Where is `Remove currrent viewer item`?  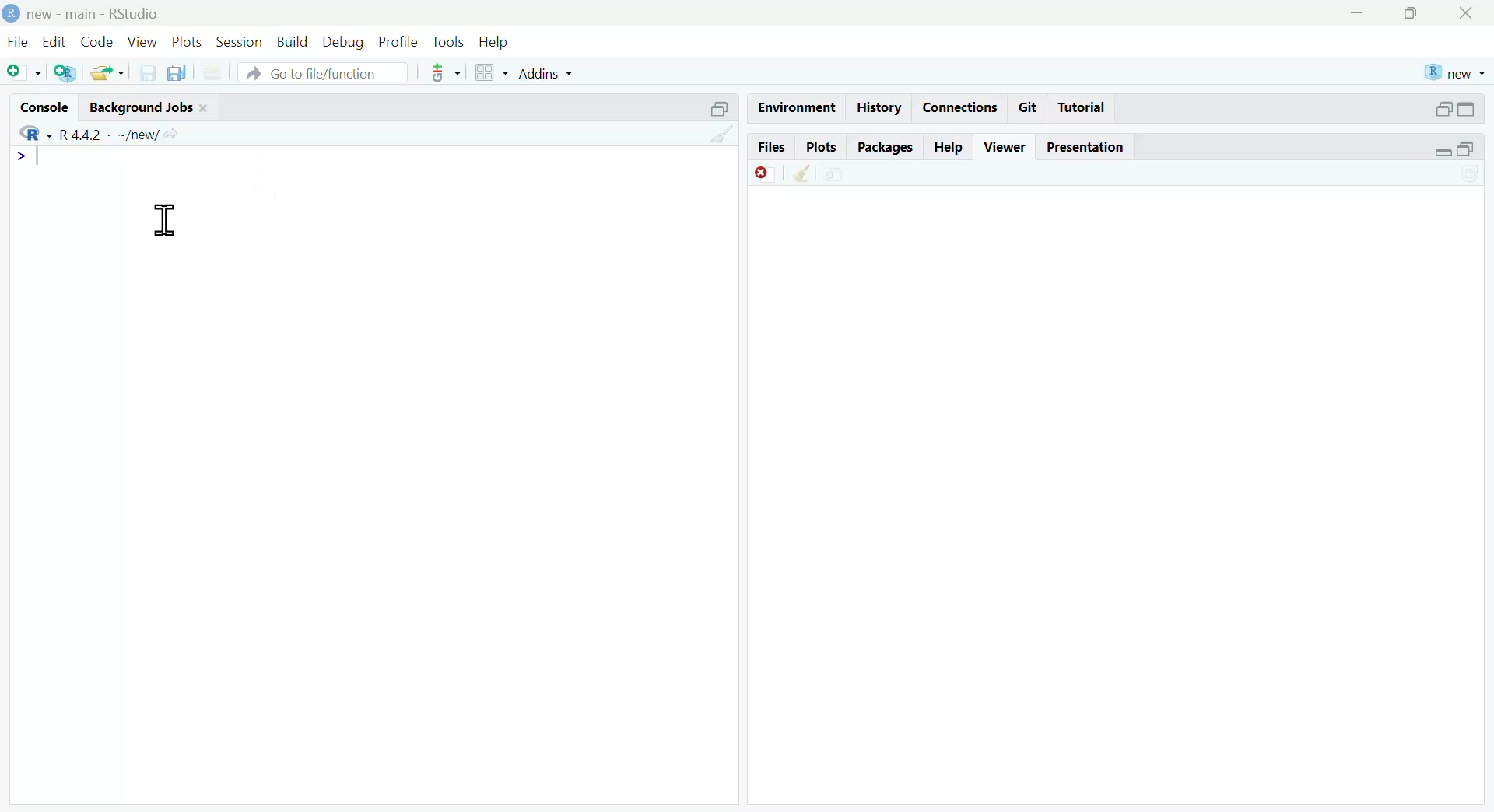
Remove currrent viewer item is located at coordinates (760, 178).